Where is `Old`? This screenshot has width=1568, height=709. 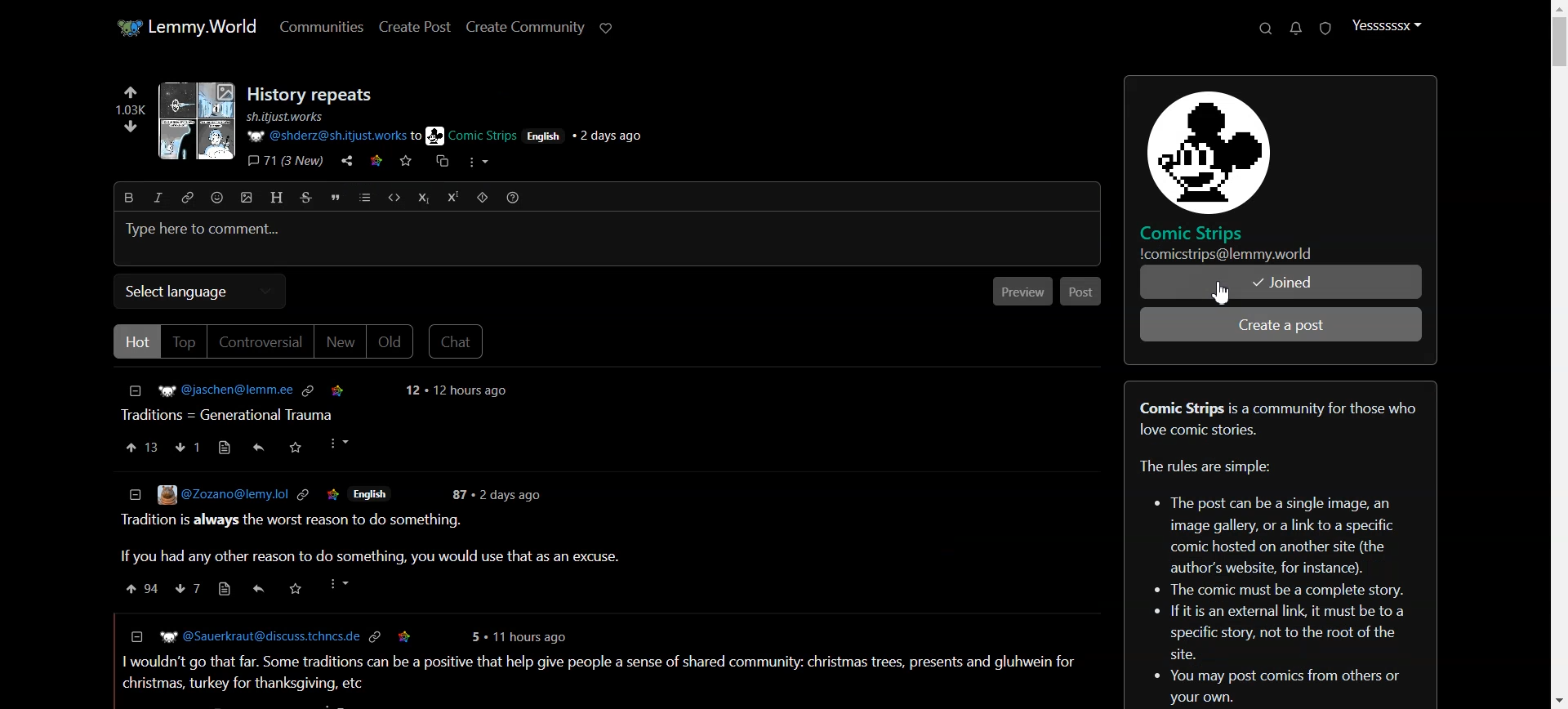 Old is located at coordinates (390, 341).